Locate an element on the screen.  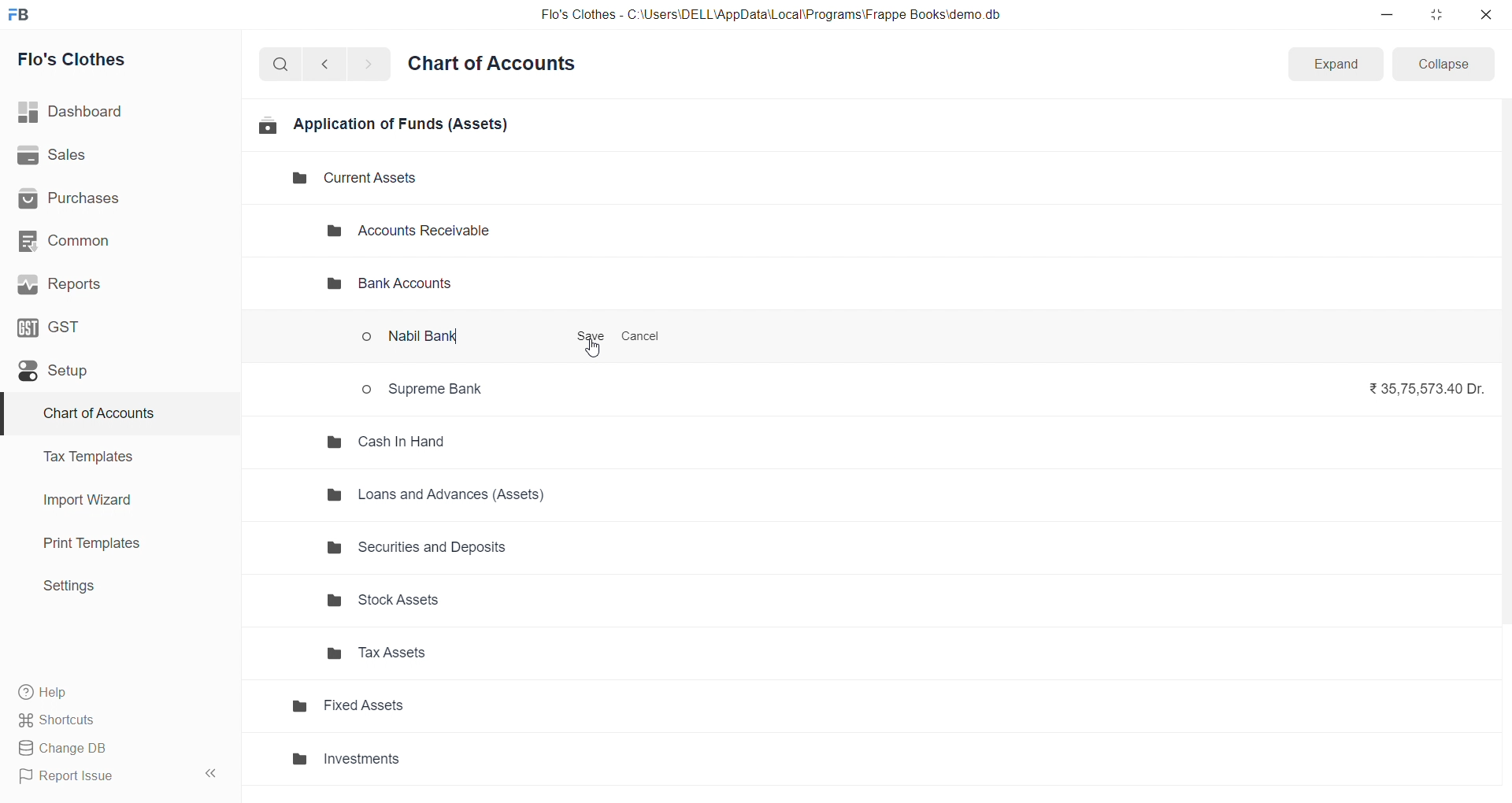
Flo's Clothes - C:\Users\DELL\AppData\Local\Programs\Frappe Books\demo.db is located at coordinates (771, 15).